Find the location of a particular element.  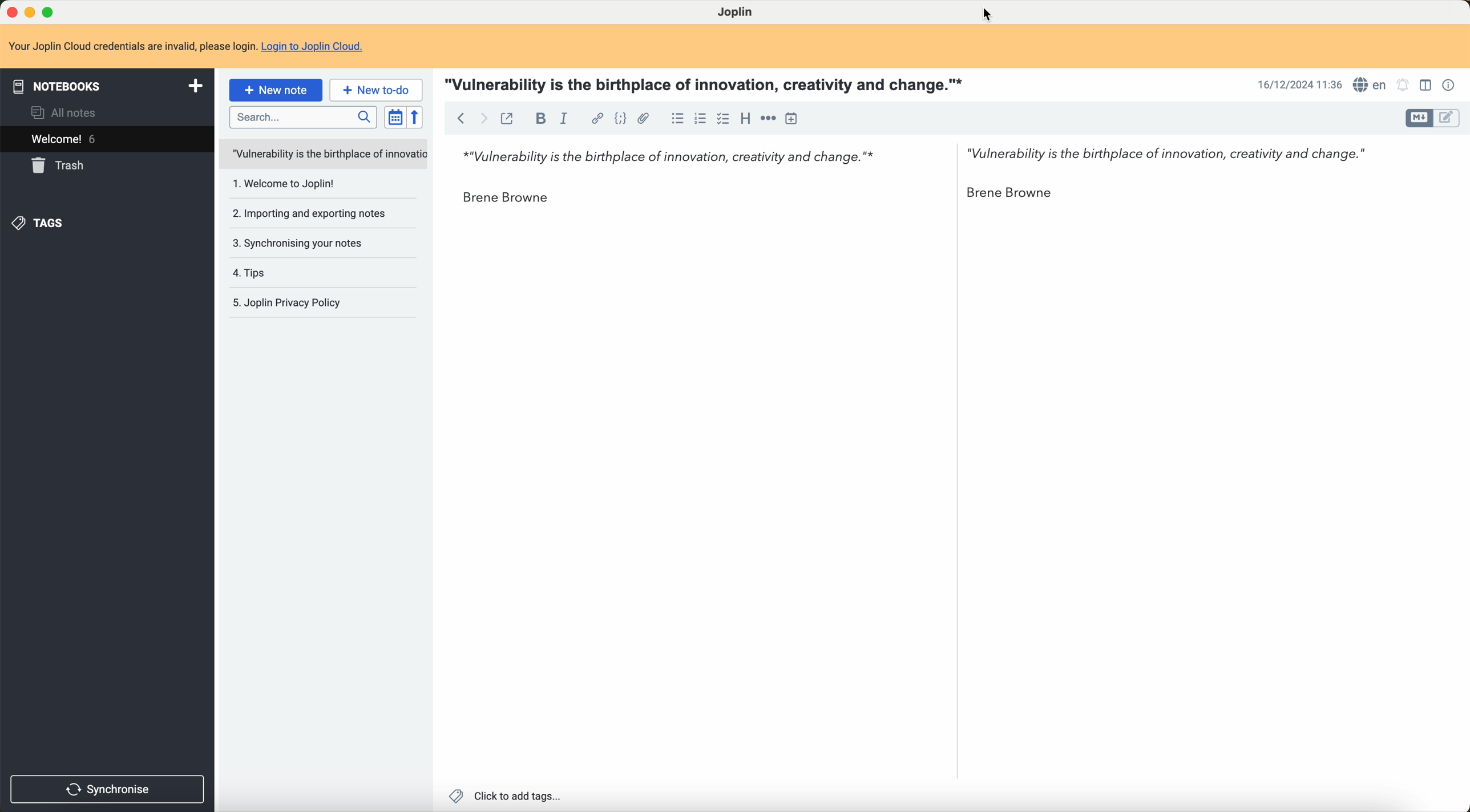

click to add tags is located at coordinates (507, 797).